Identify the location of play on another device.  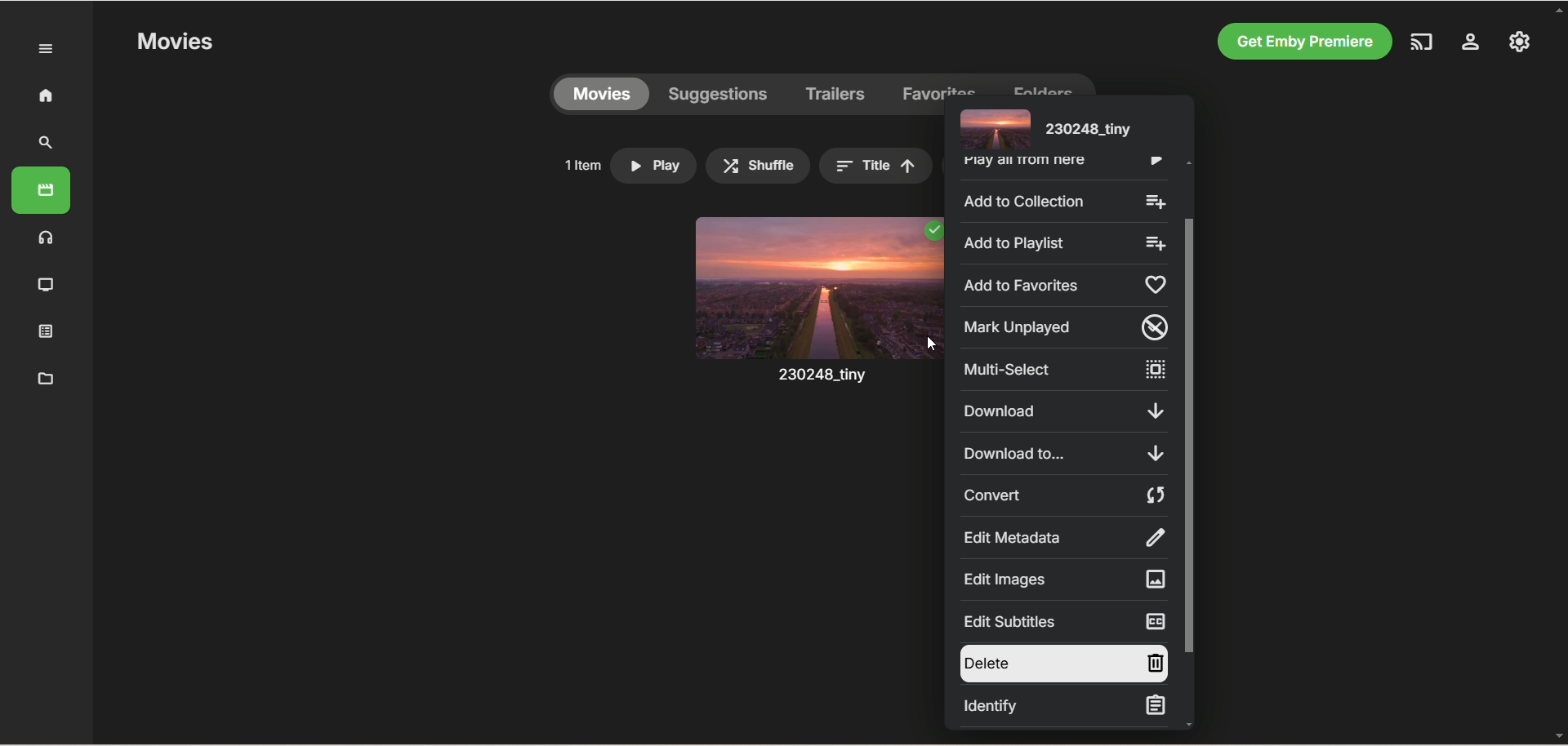
(1423, 42).